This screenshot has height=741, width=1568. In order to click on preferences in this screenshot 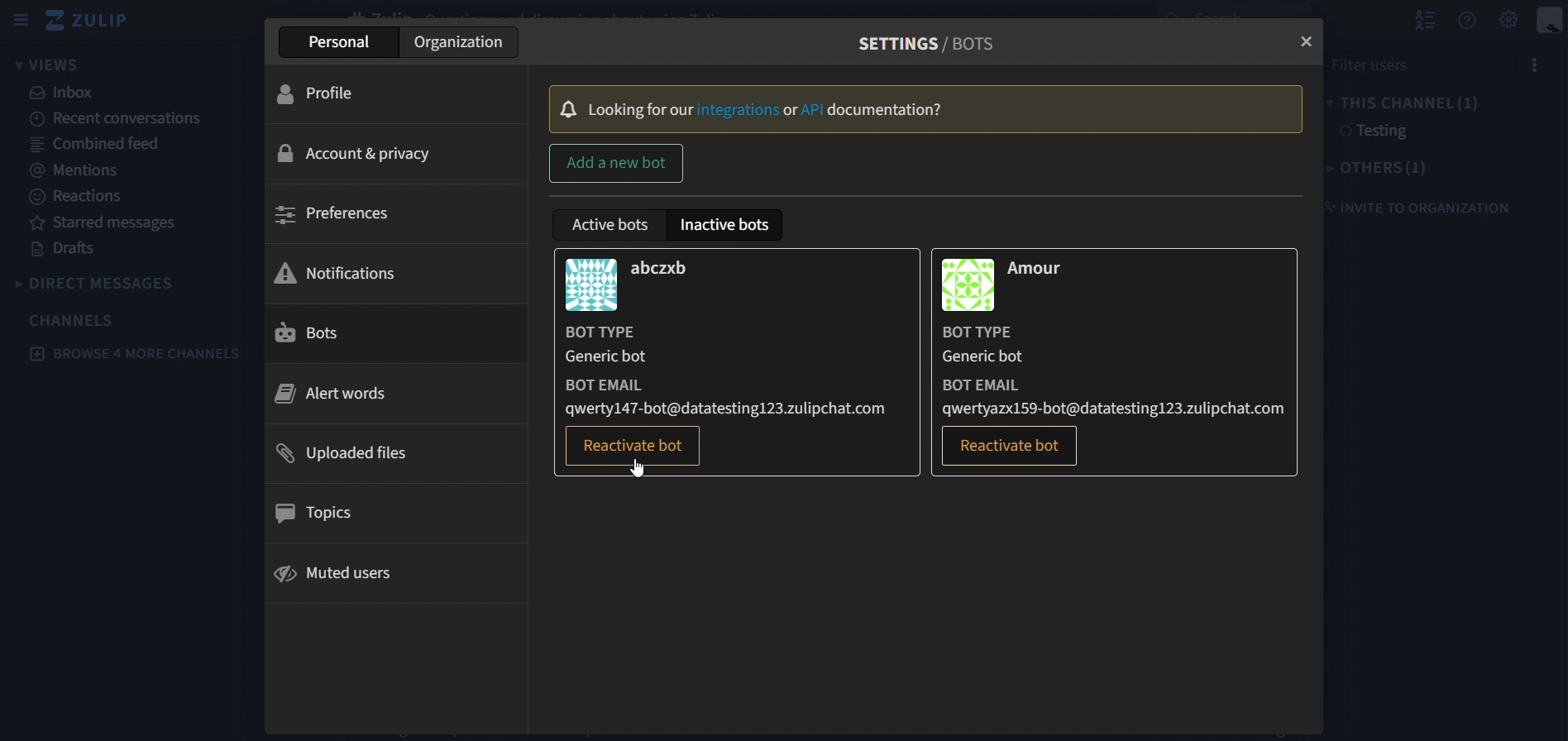, I will do `click(337, 215)`.